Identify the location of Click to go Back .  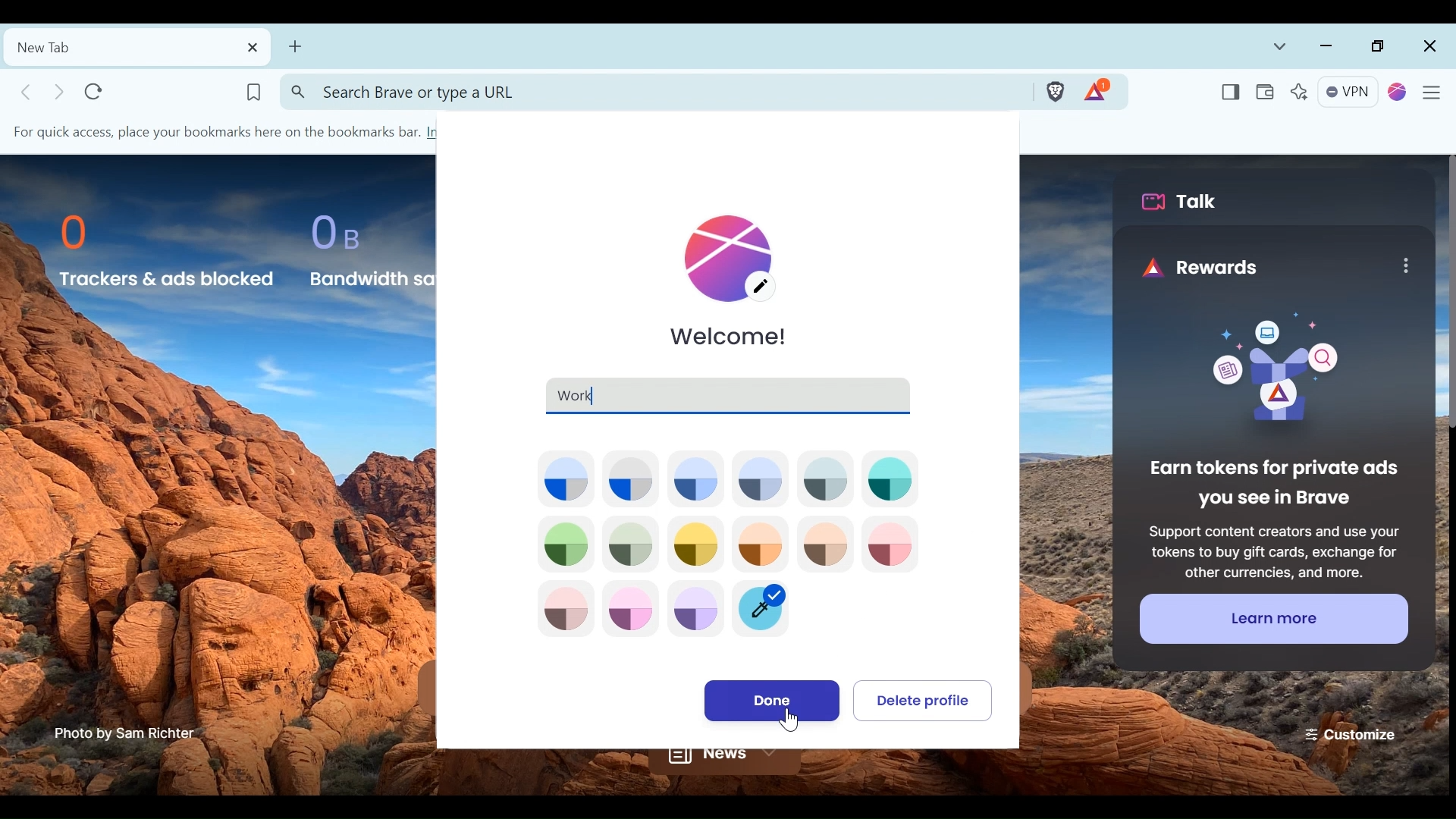
(28, 91).